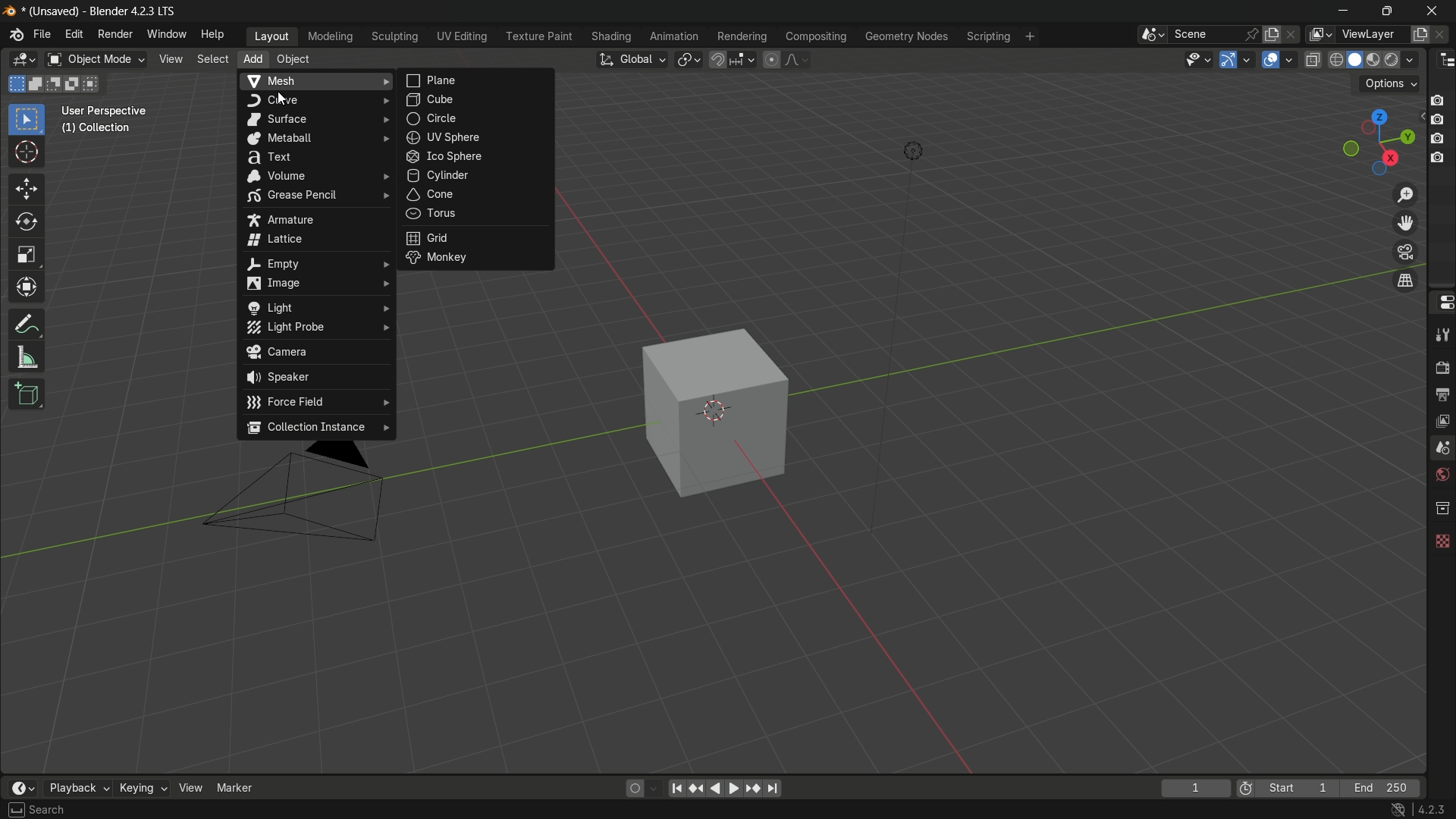 Image resolution: width=1456 pixels, height=819 pixels. Describe the element at coordinates (1372, 35) in the screenshot. I see `view layer name` at that location.